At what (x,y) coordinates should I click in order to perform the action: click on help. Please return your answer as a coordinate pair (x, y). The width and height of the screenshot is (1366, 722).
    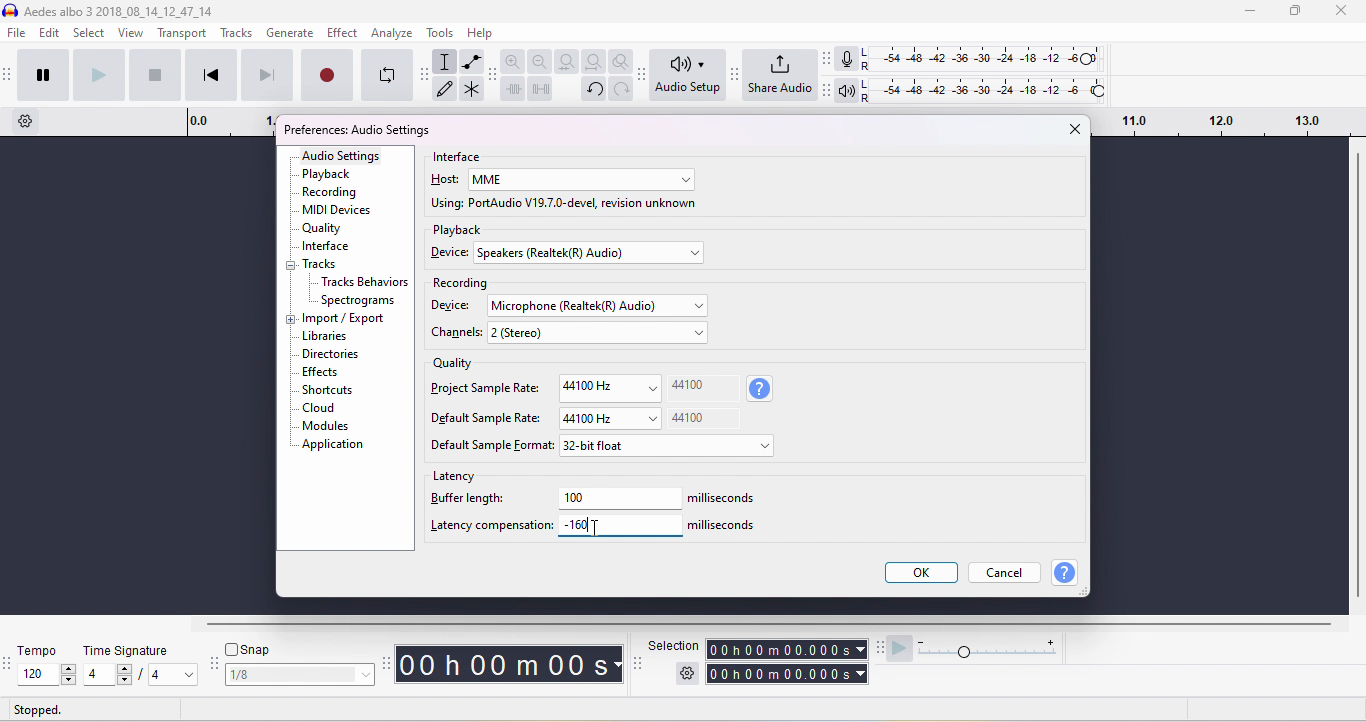
    Looking at the image, I should click on (1066, 573).